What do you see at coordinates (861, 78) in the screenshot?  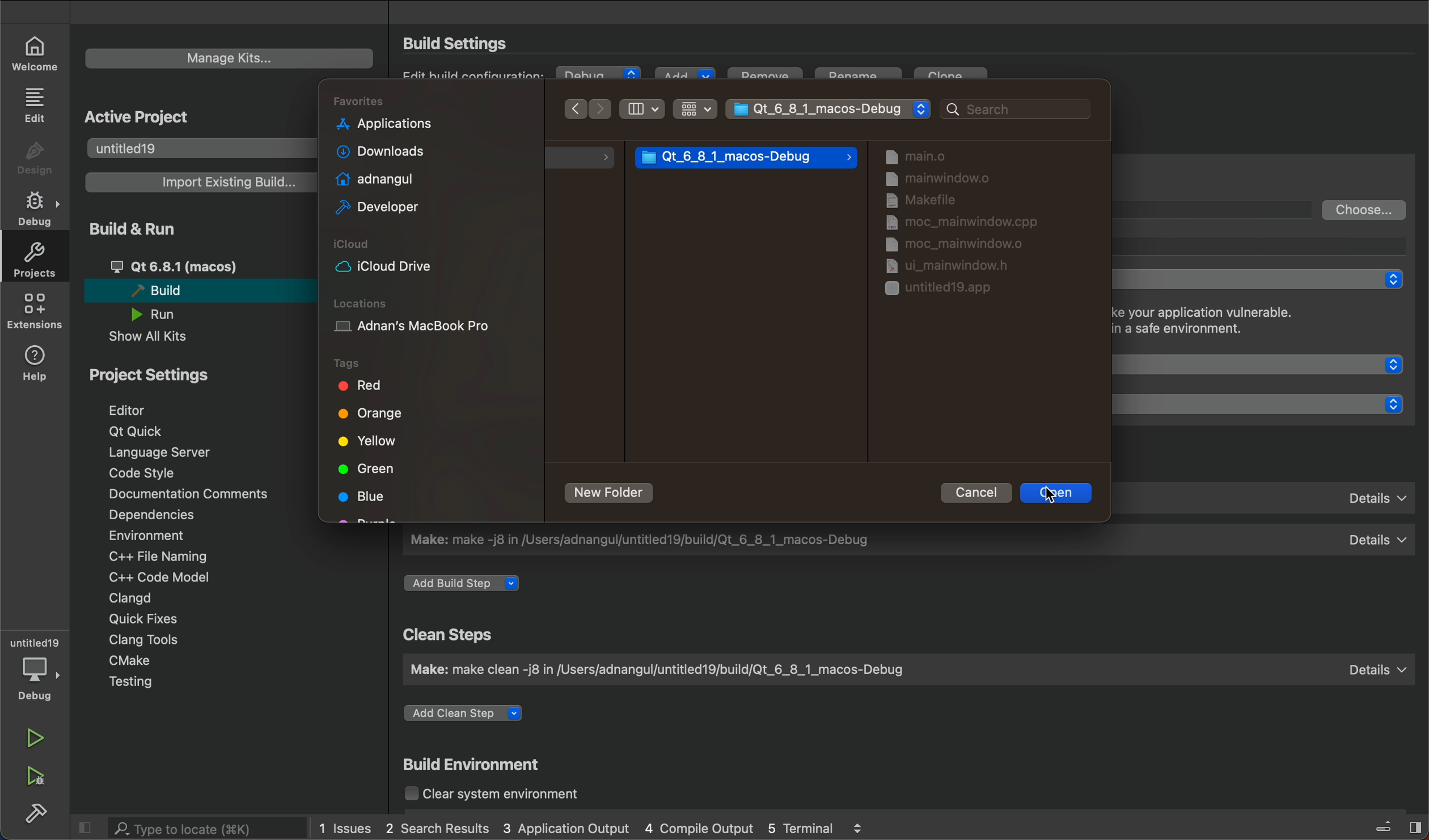 I see `rename` at bounding box center [861, 78].